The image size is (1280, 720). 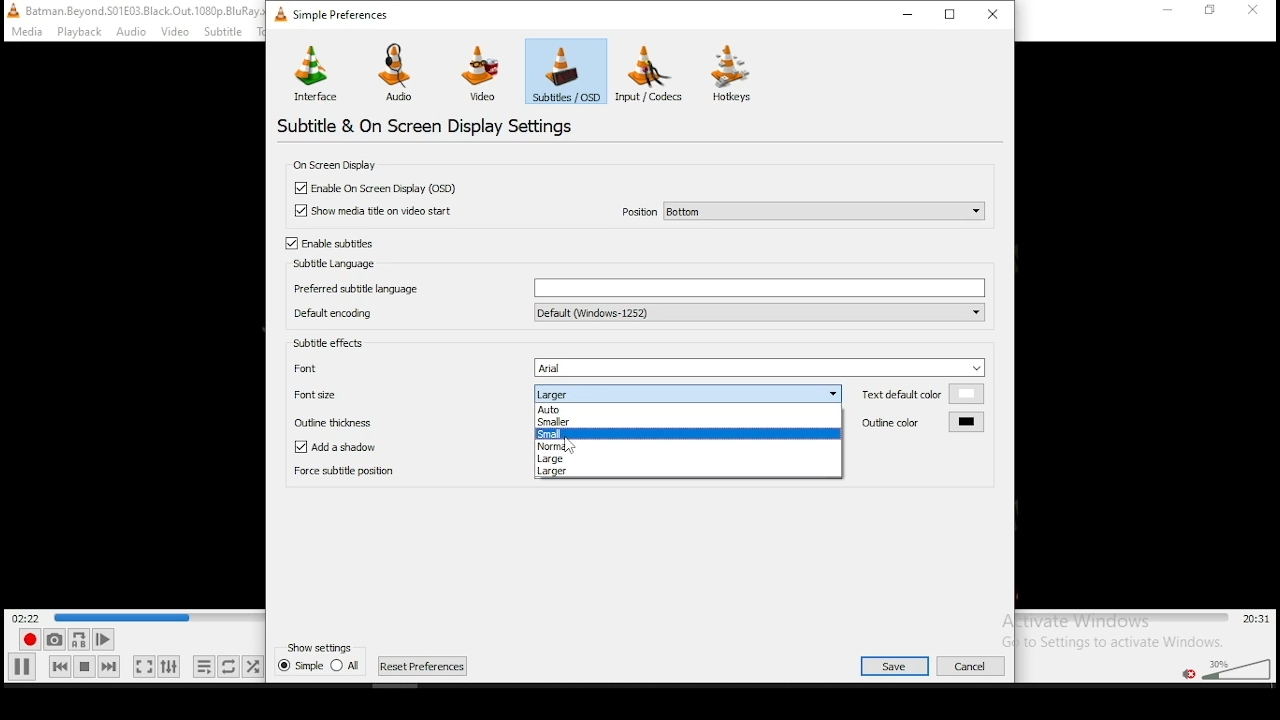 I want to click on click to select between loop all, loop one, and no loop, so click(x=227, y=668).